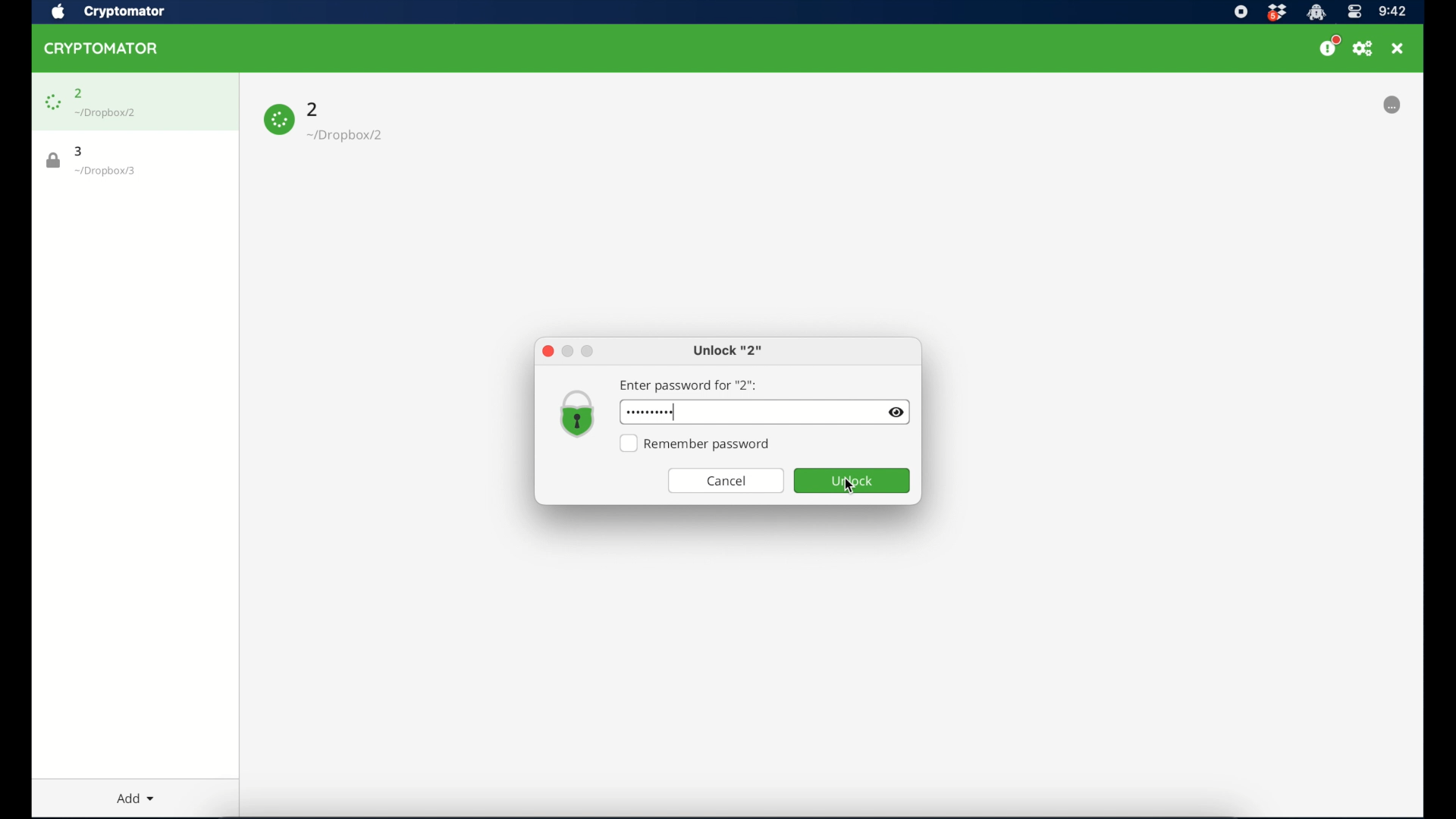  Describe the element at coordinates (58, 12) in the screenshot. I see `apple icon` at that location.